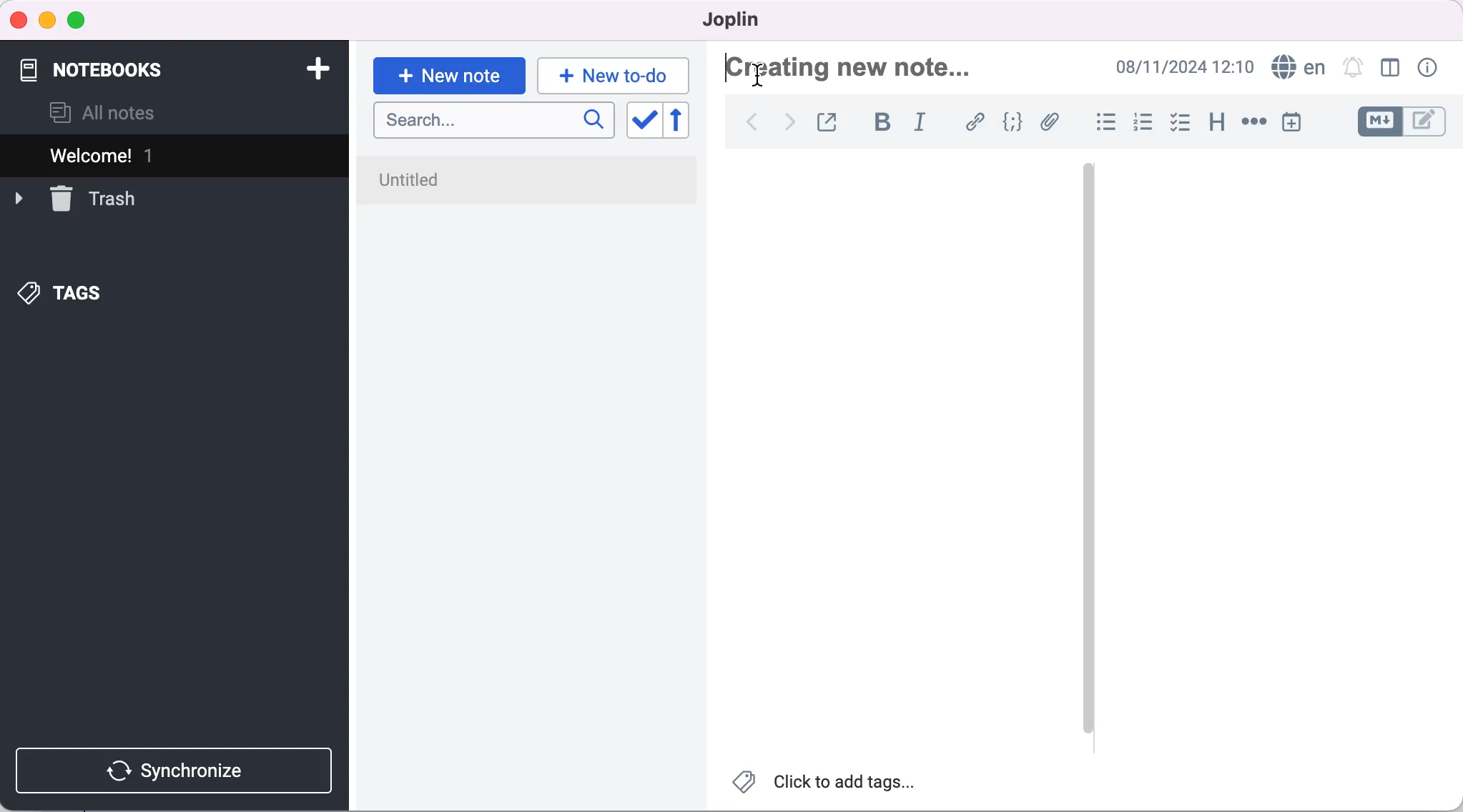 The width and height of the screenshot is (1463, 812). Describe the element at coordinates (789, 122) in the screenshot. I see `forward` at that location.